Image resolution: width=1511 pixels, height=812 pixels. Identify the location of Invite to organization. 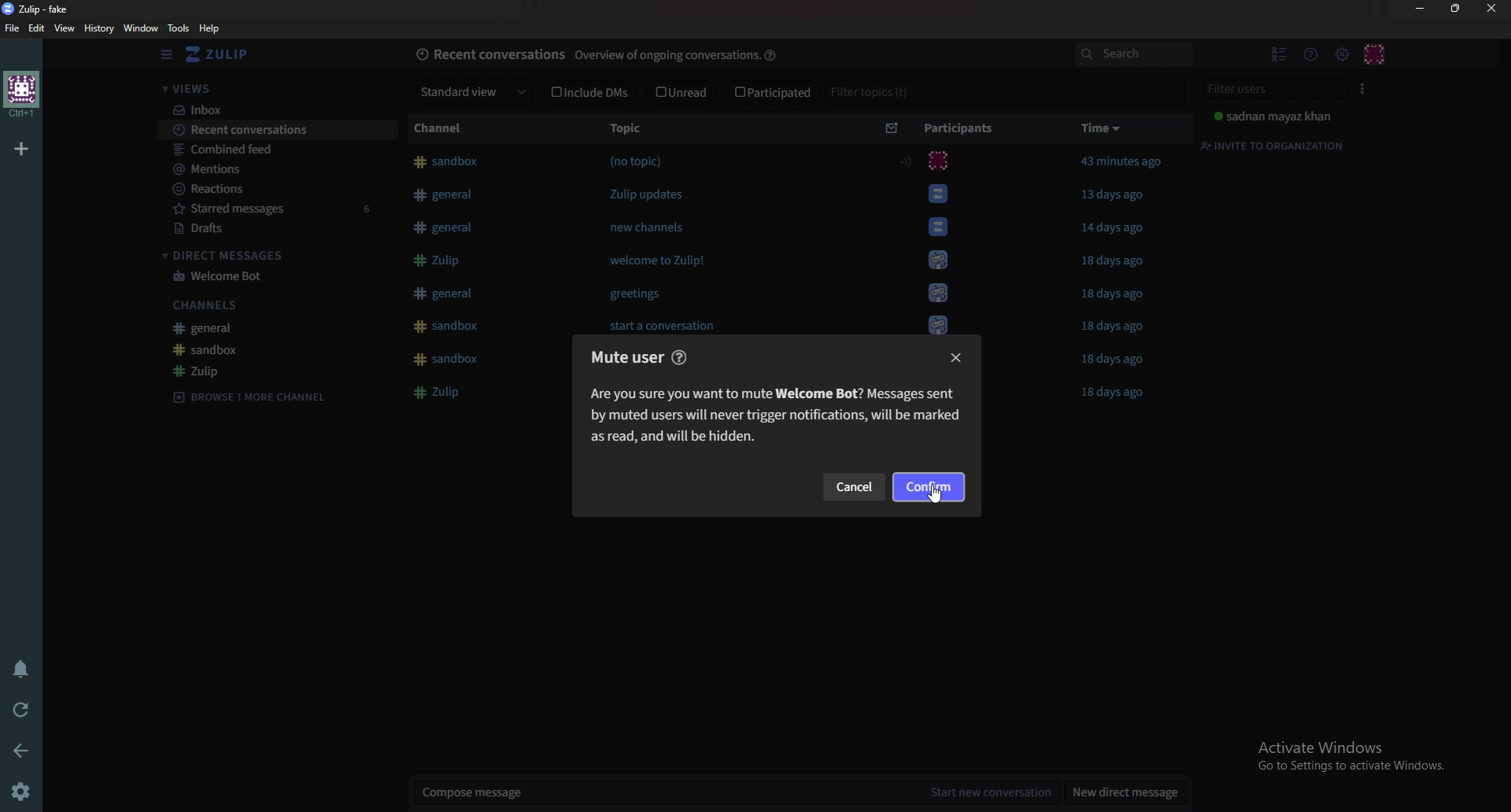
(1276, 144).